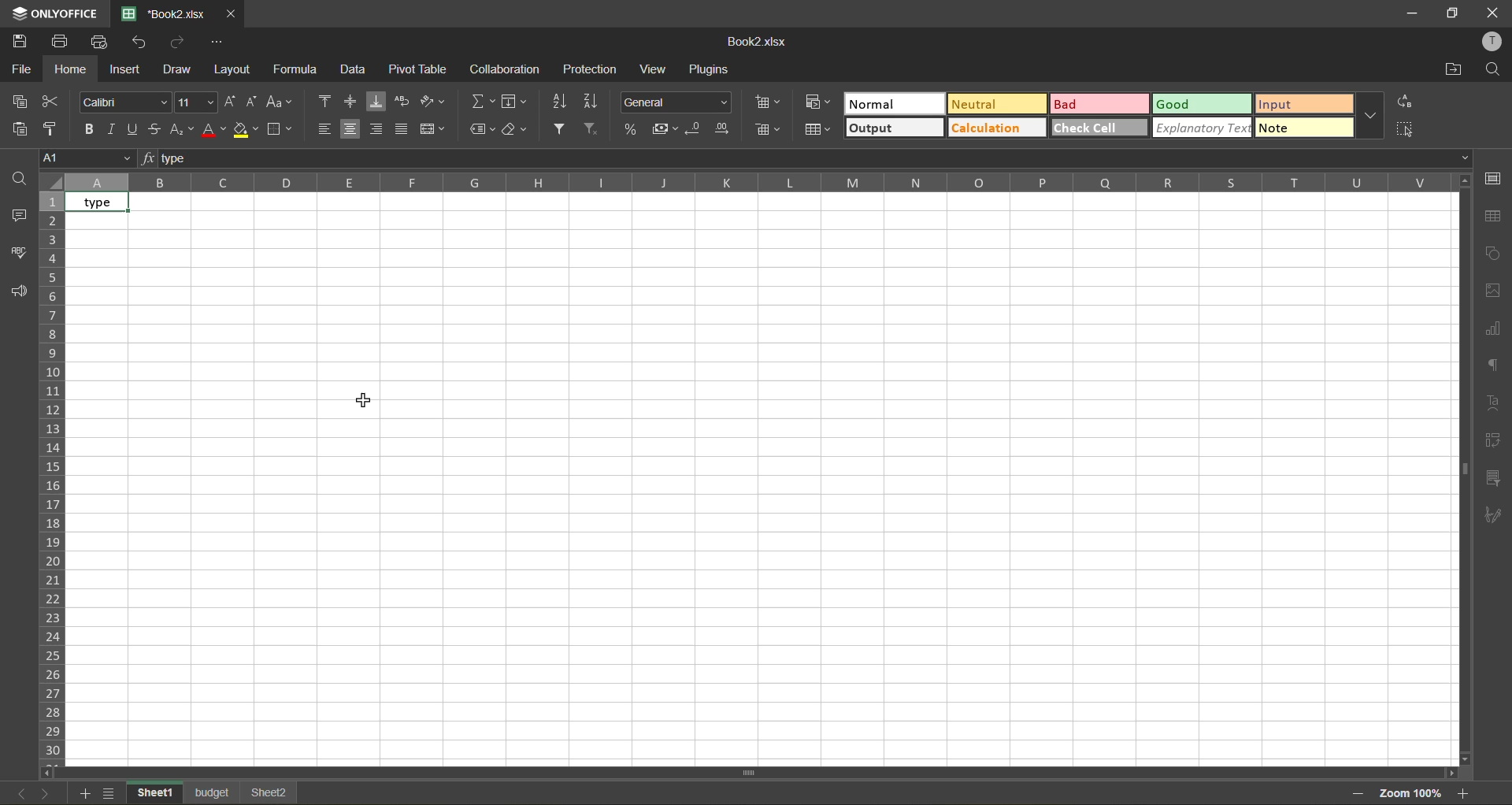 Image resolution: width=1512 pixels, height=805 pixels. I want to click on named ranges, so click(484, 130).